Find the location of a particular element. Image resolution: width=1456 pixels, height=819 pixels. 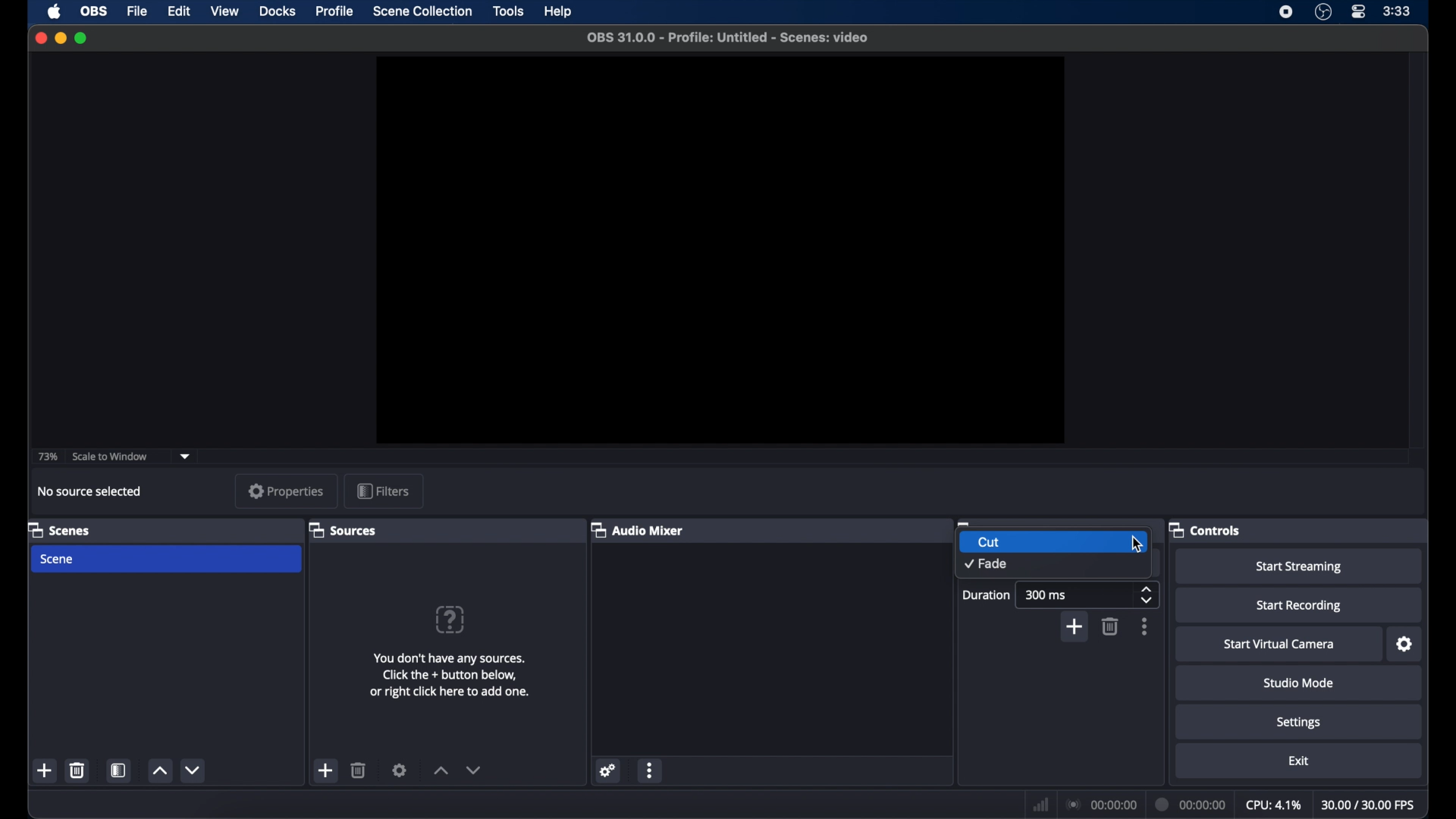

delete is located at coordinates (1110, 626).